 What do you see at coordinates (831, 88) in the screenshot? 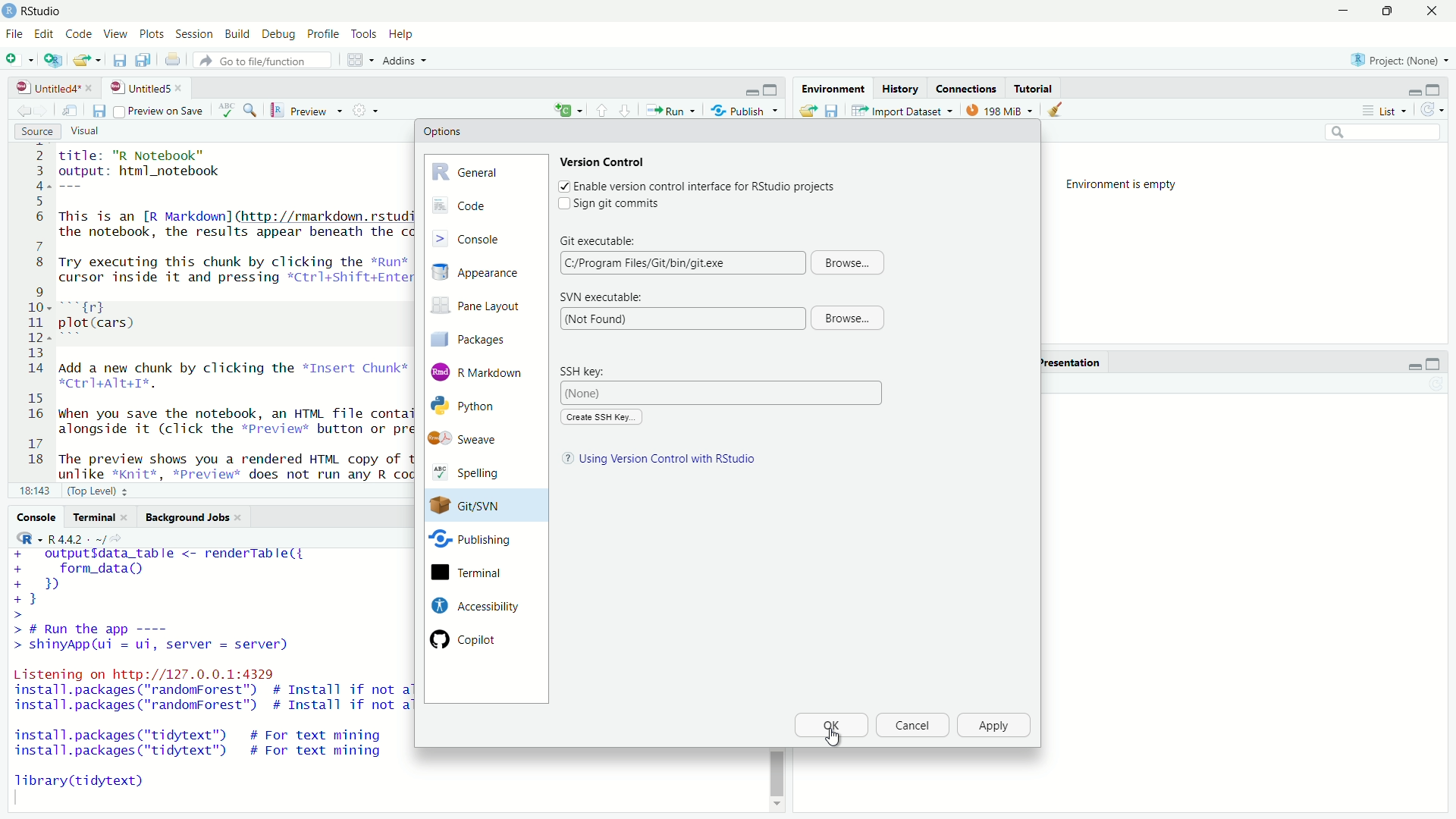
I see `Environment` at bounding box center [831, 88].